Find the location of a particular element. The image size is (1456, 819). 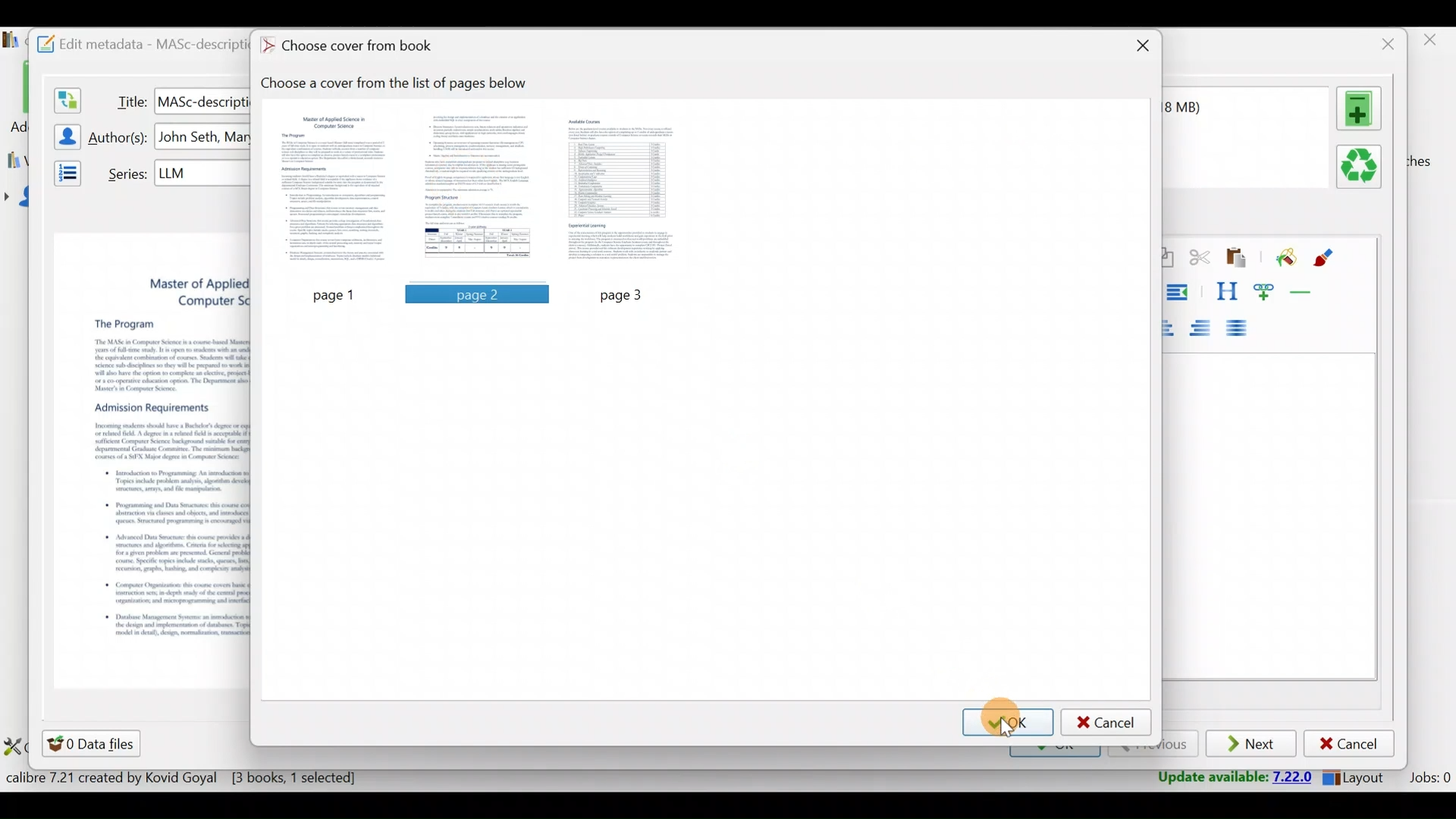

Cancel is located at coordinates (1349, 744).